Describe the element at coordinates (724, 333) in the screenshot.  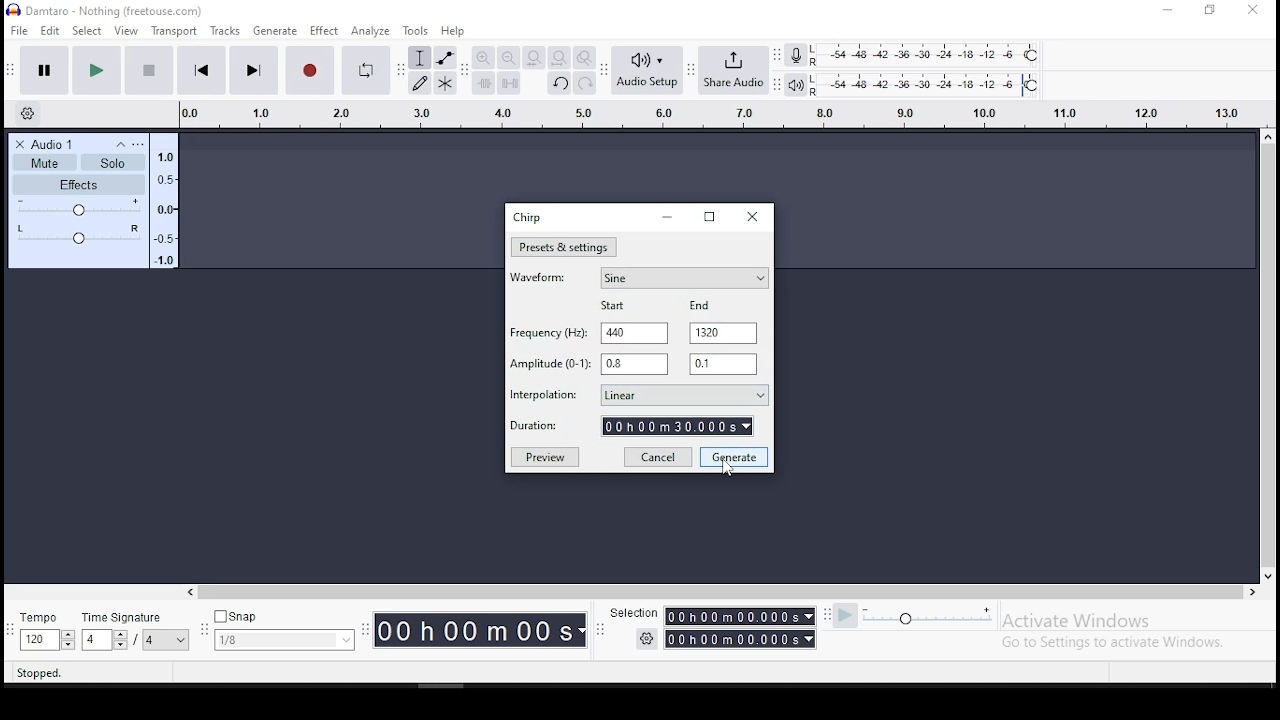
I see `frequency end` at that location.